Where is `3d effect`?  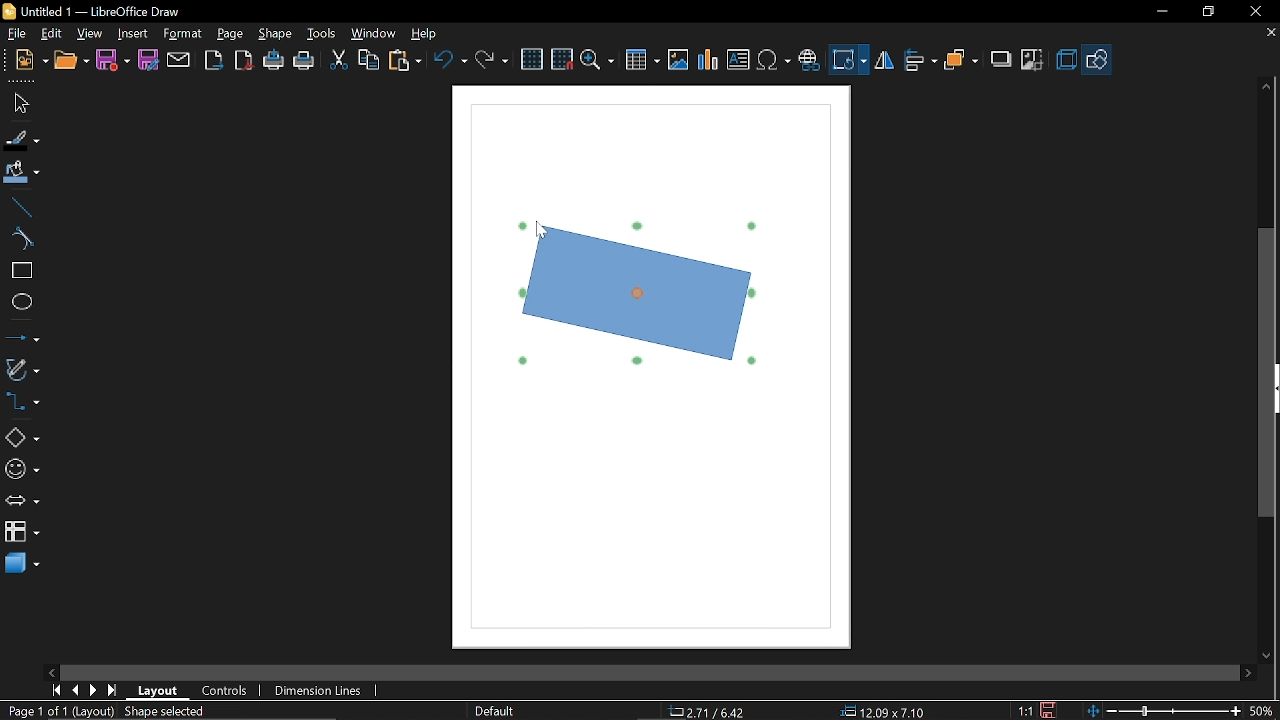
3d effect is located at coordinates (1066, 60).